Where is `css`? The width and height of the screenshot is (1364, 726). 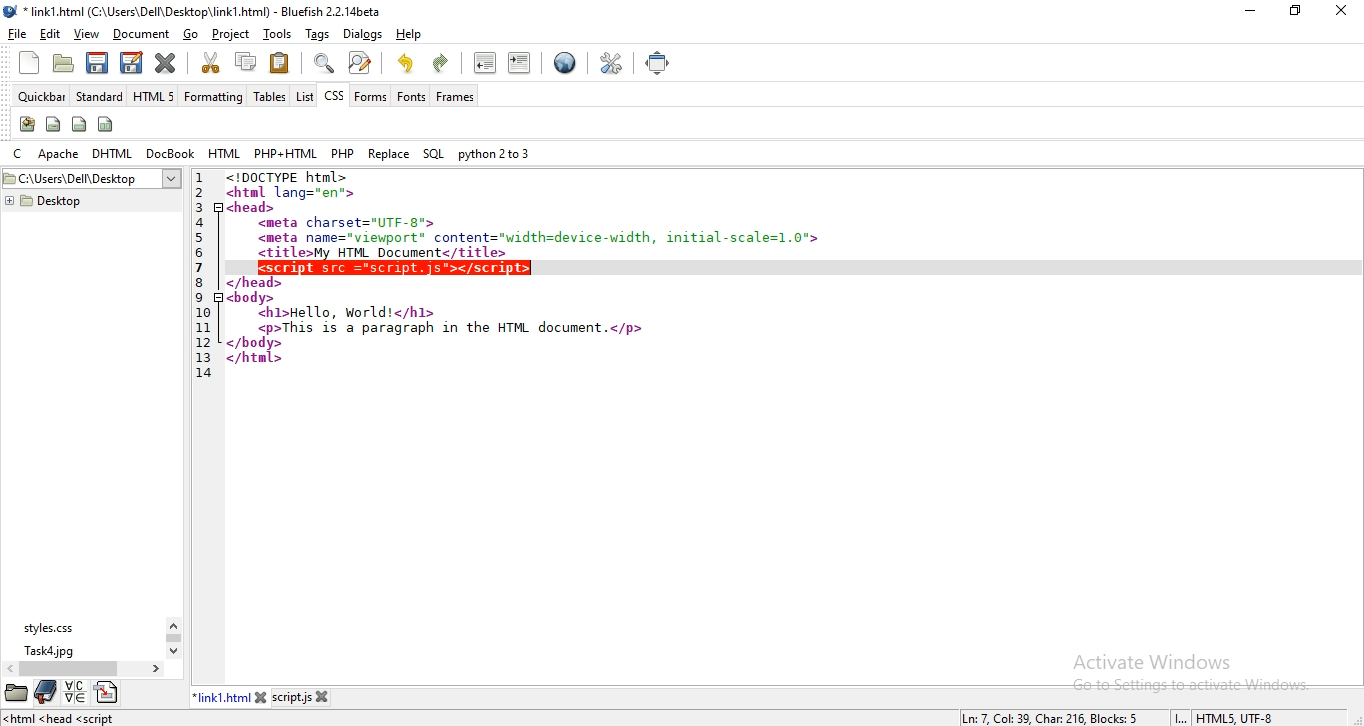
css is located at coordinates (332, 95).